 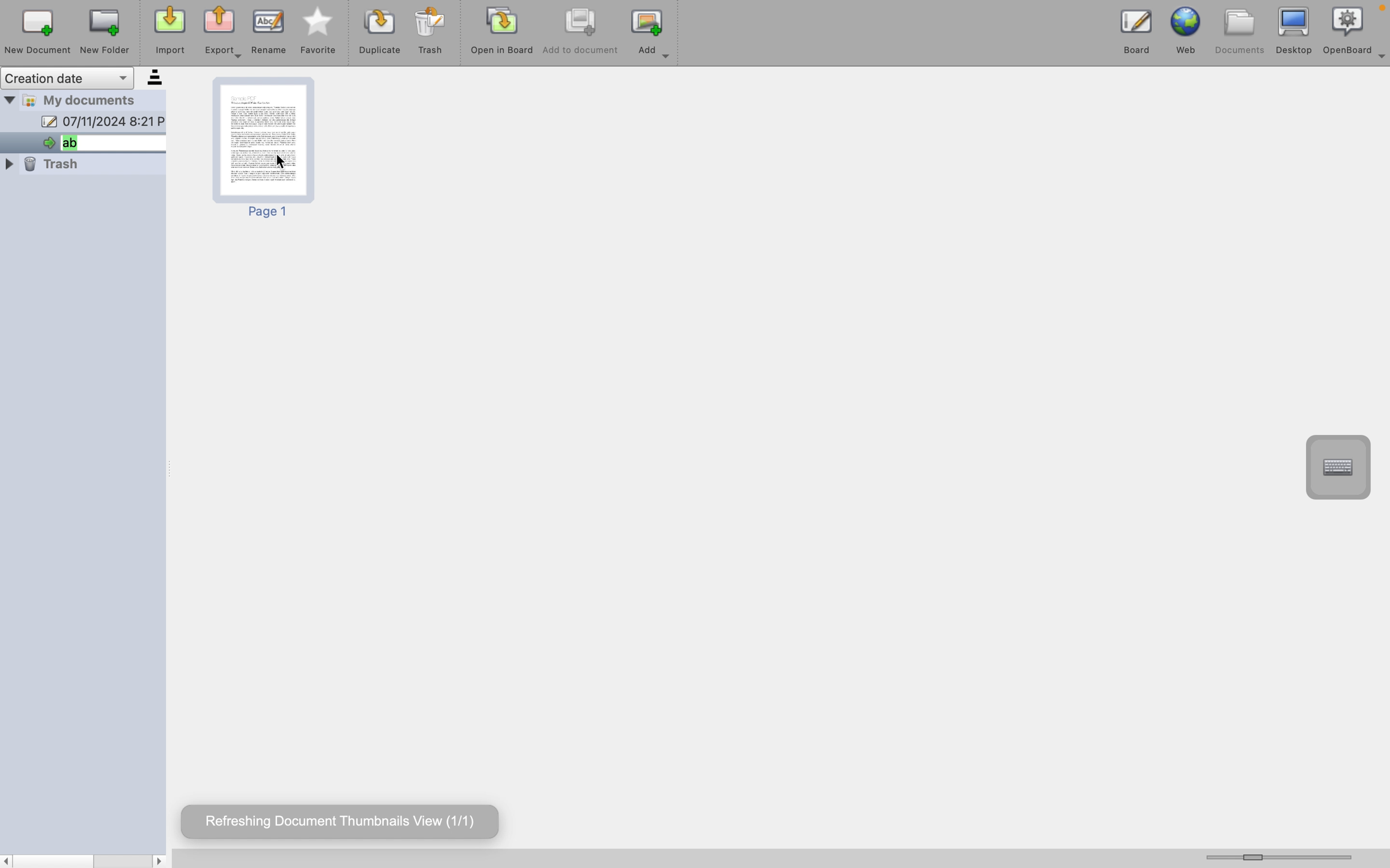 I want to click on documents, so click(x=1241, y=30).